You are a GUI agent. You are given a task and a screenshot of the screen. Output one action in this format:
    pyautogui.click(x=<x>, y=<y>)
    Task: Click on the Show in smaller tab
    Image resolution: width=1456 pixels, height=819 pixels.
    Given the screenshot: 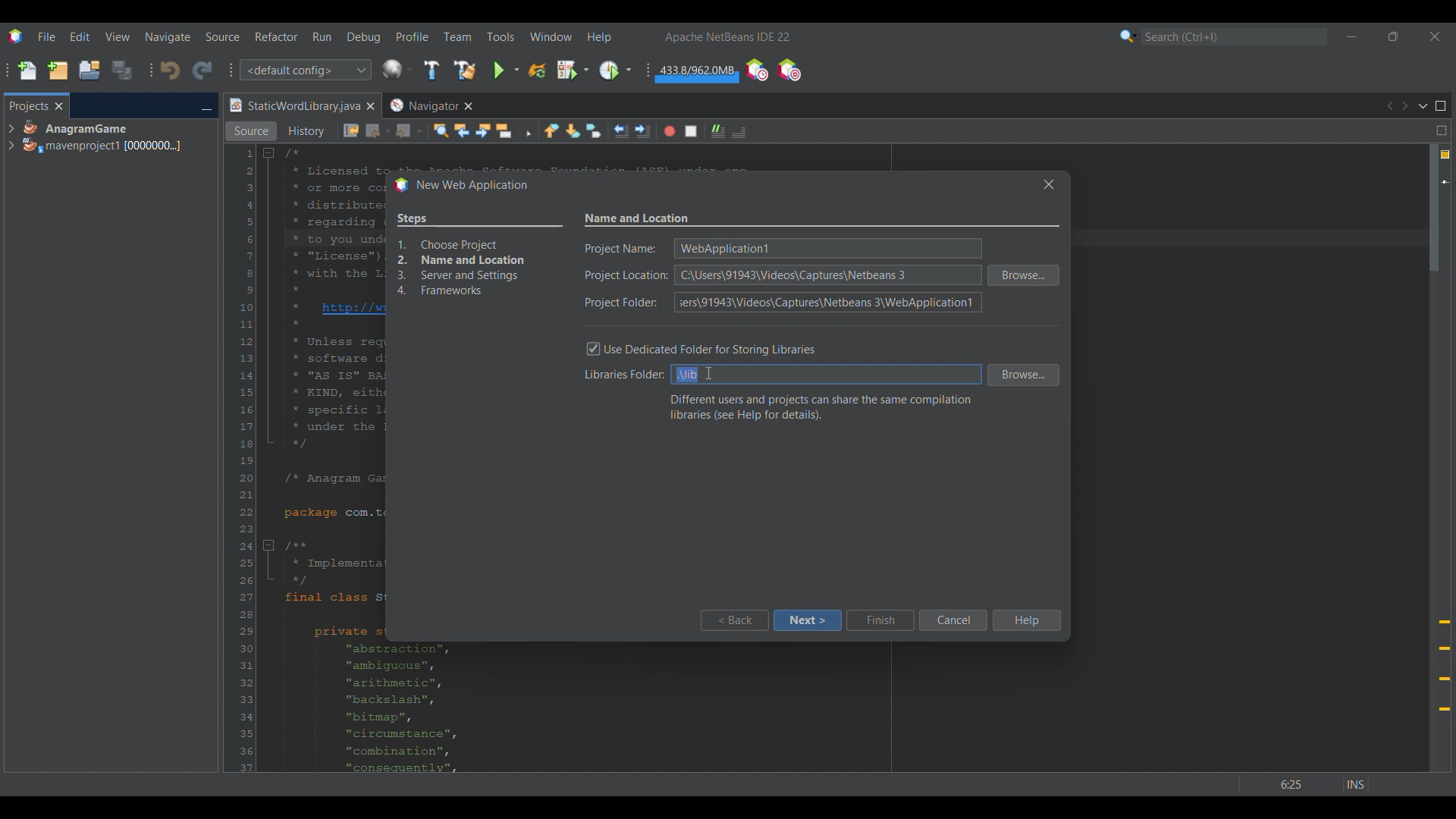 What is the action you would take?
    pyautogui.click(x=1393, y=36)
    